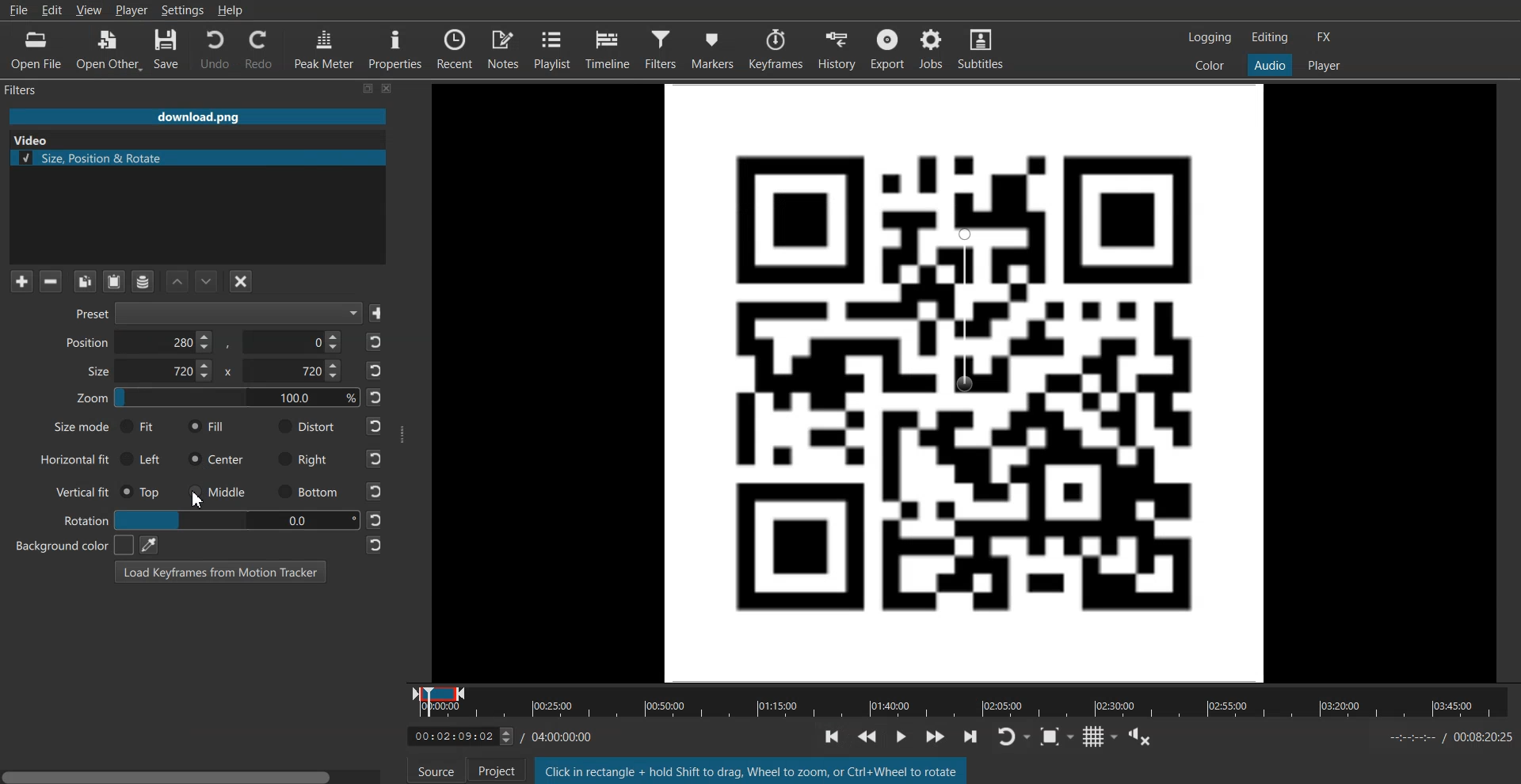  What do you see at coordinates (975, 740) in the screenshot?
I see `Skip to the next point` at bounding box center [975, 740].